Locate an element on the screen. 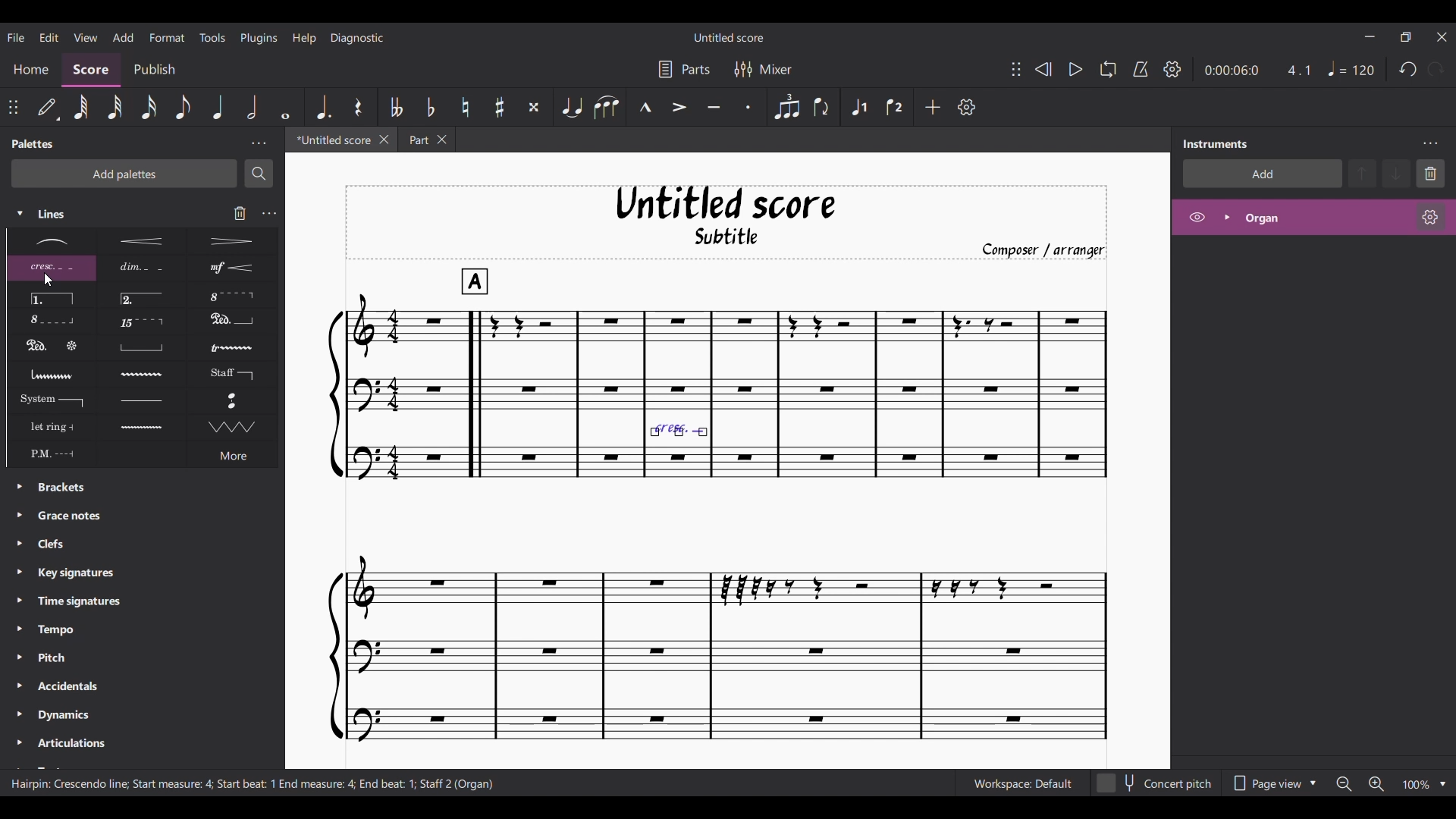 The height and width of the screenshot is (819, 1456). Augmentation dot is located at coordinates (323, 107).